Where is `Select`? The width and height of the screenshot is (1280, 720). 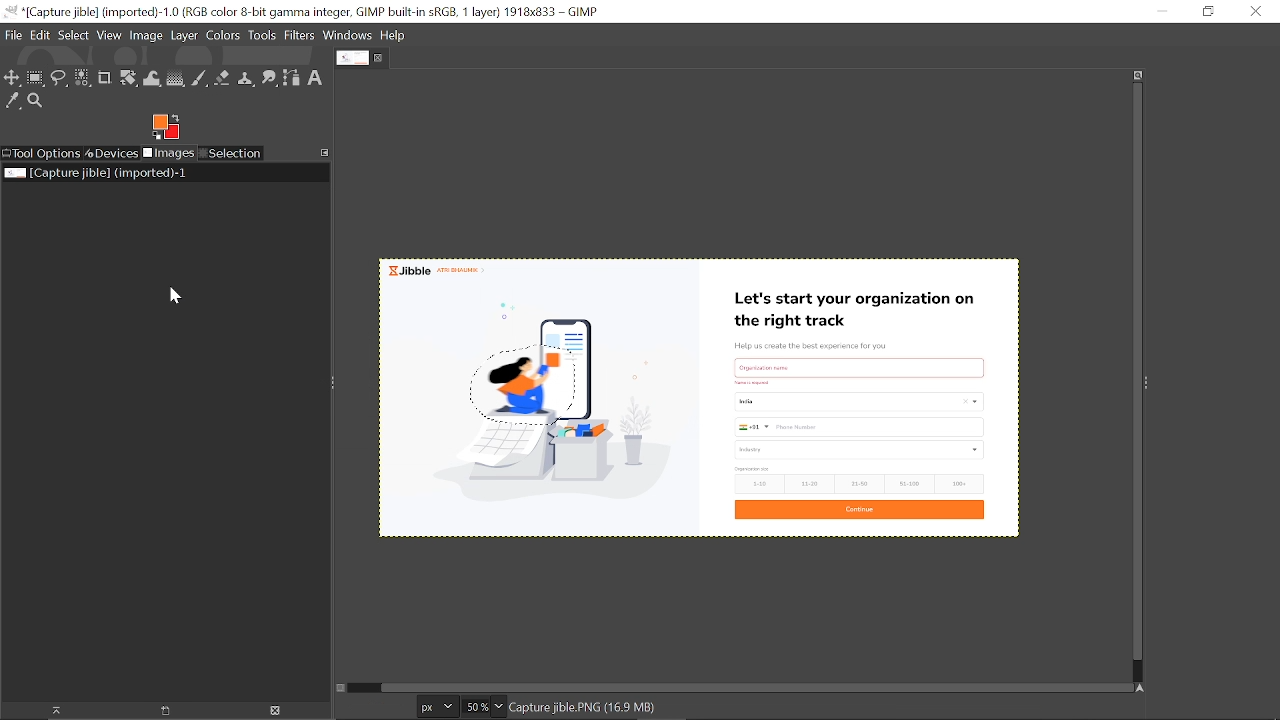 Select is located at coordinates (74, 35).